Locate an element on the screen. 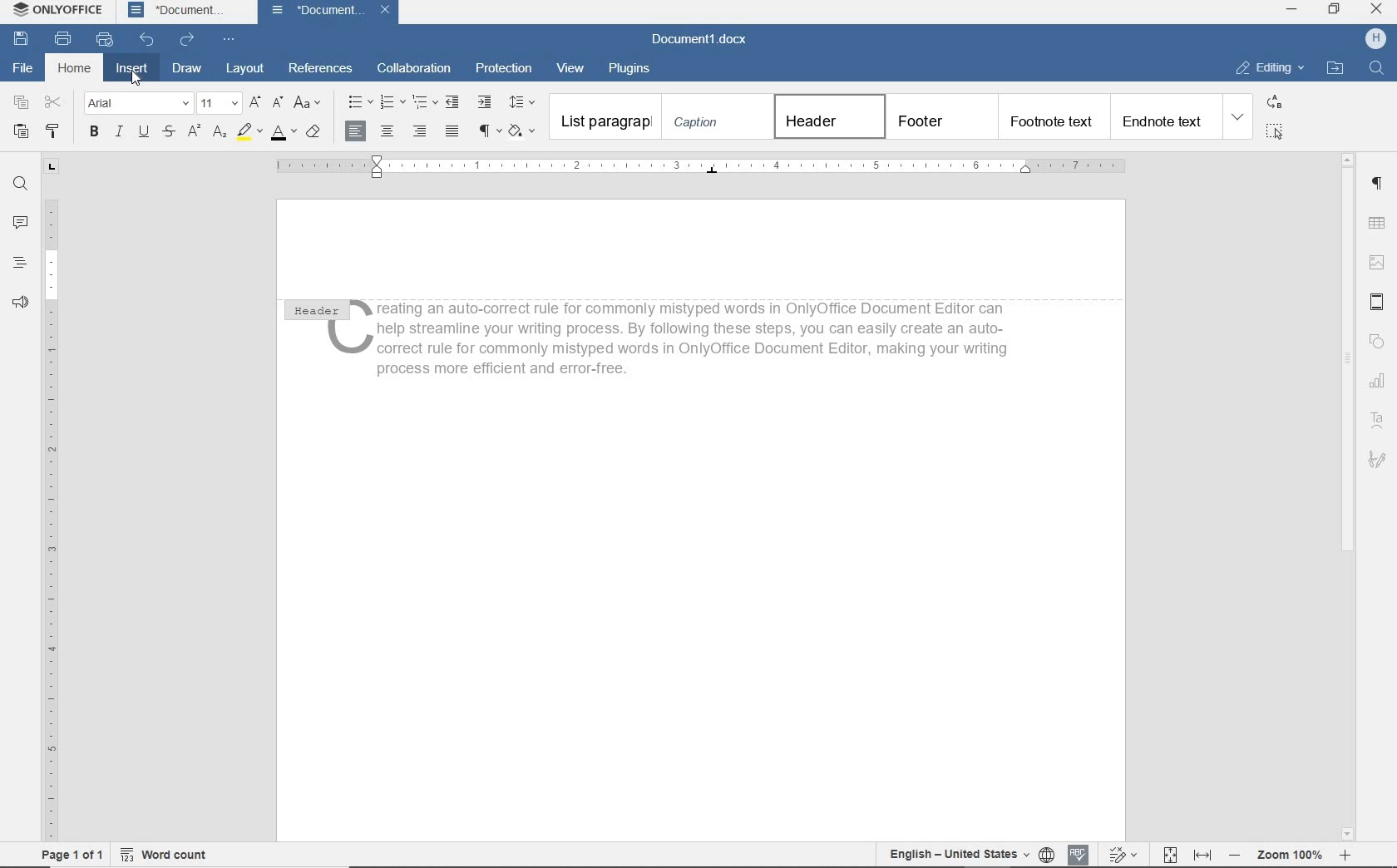 The height and width of the screenshot is (868, 1397). BOLD is located at coordinates (95, 135).